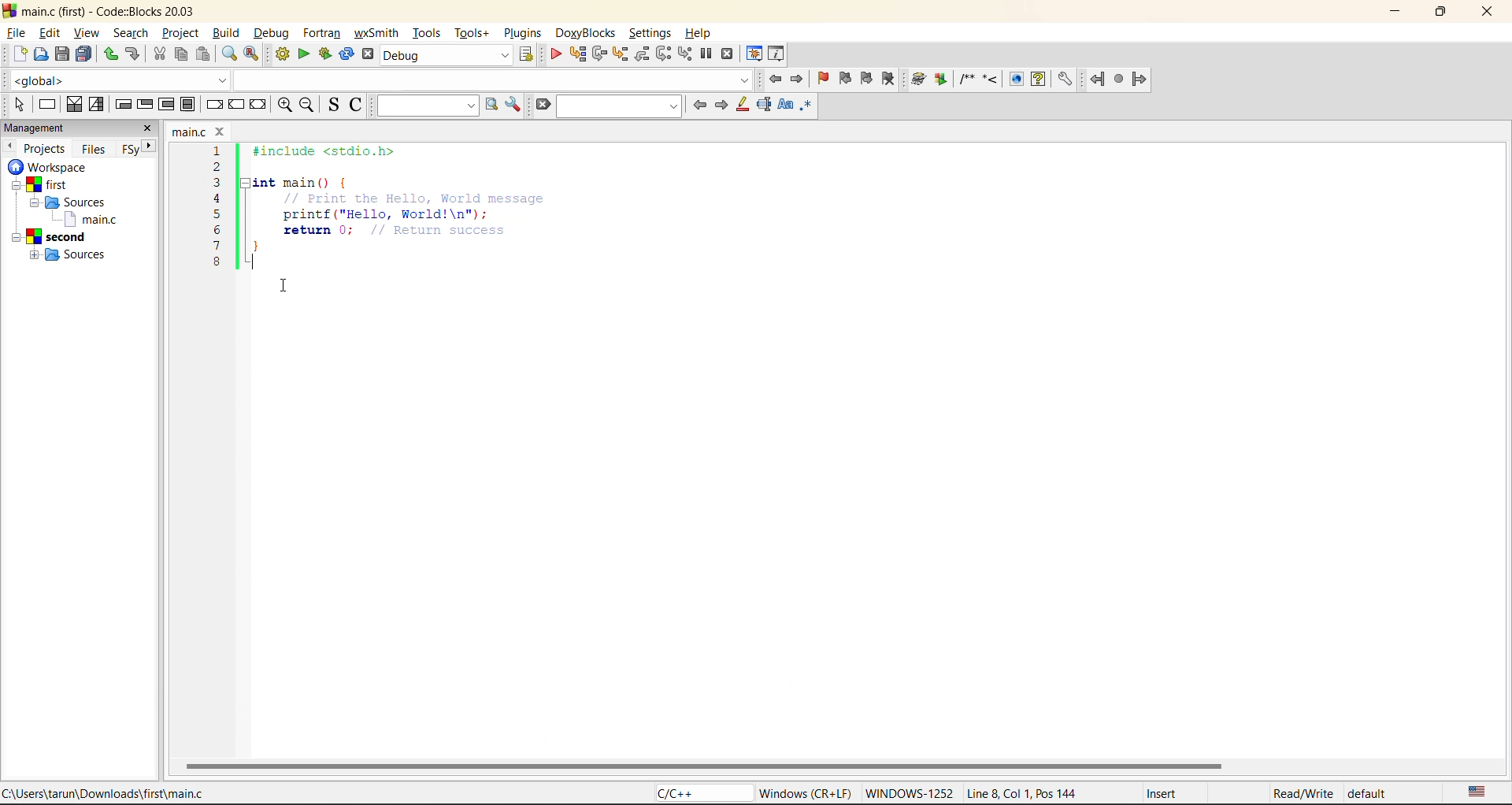  Describe the element at coordinates (50, 168) in the screenshot. I see `workspaces` at that location.